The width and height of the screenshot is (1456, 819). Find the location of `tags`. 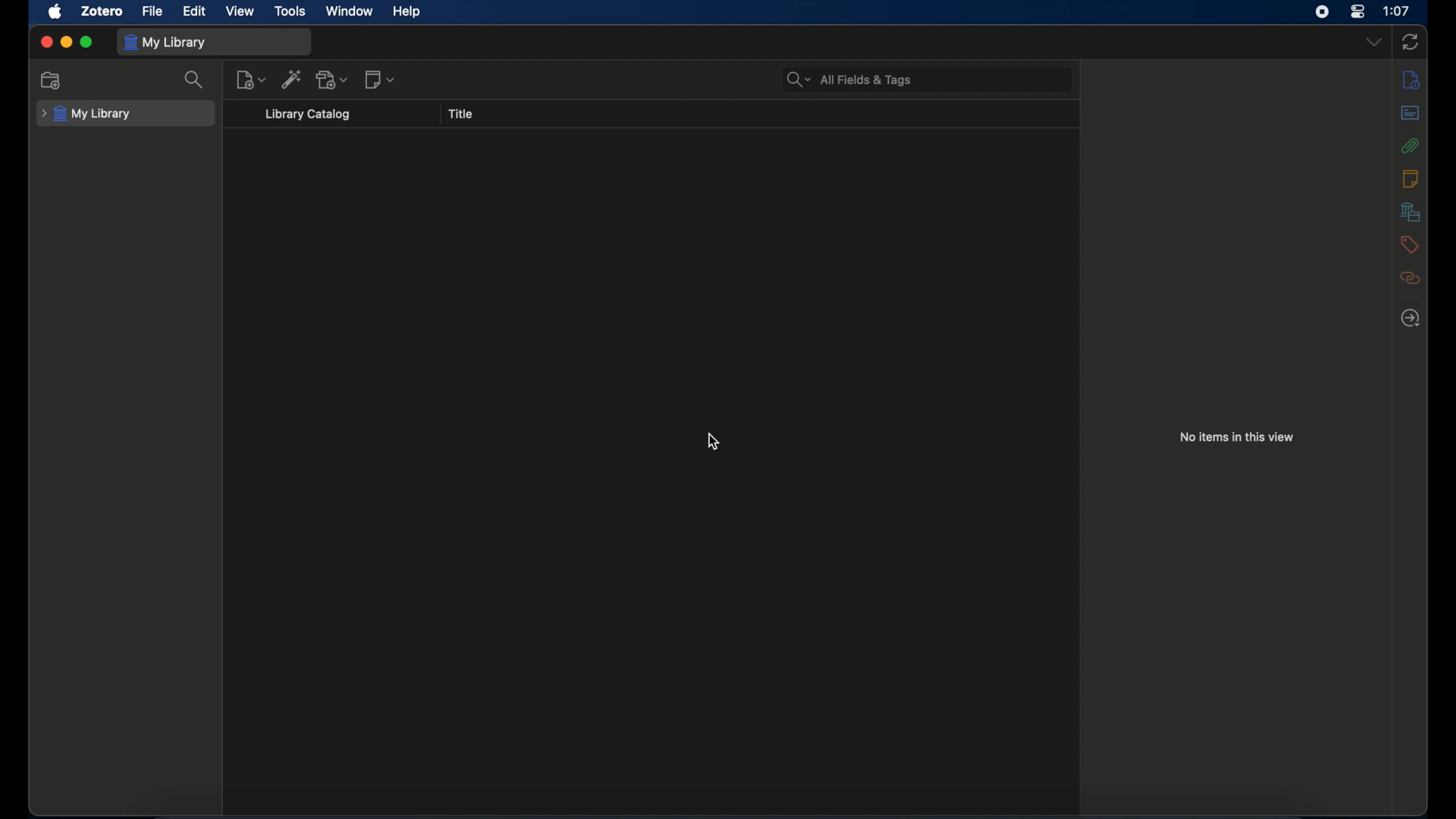

tags is located at coordinates (1409, 244).